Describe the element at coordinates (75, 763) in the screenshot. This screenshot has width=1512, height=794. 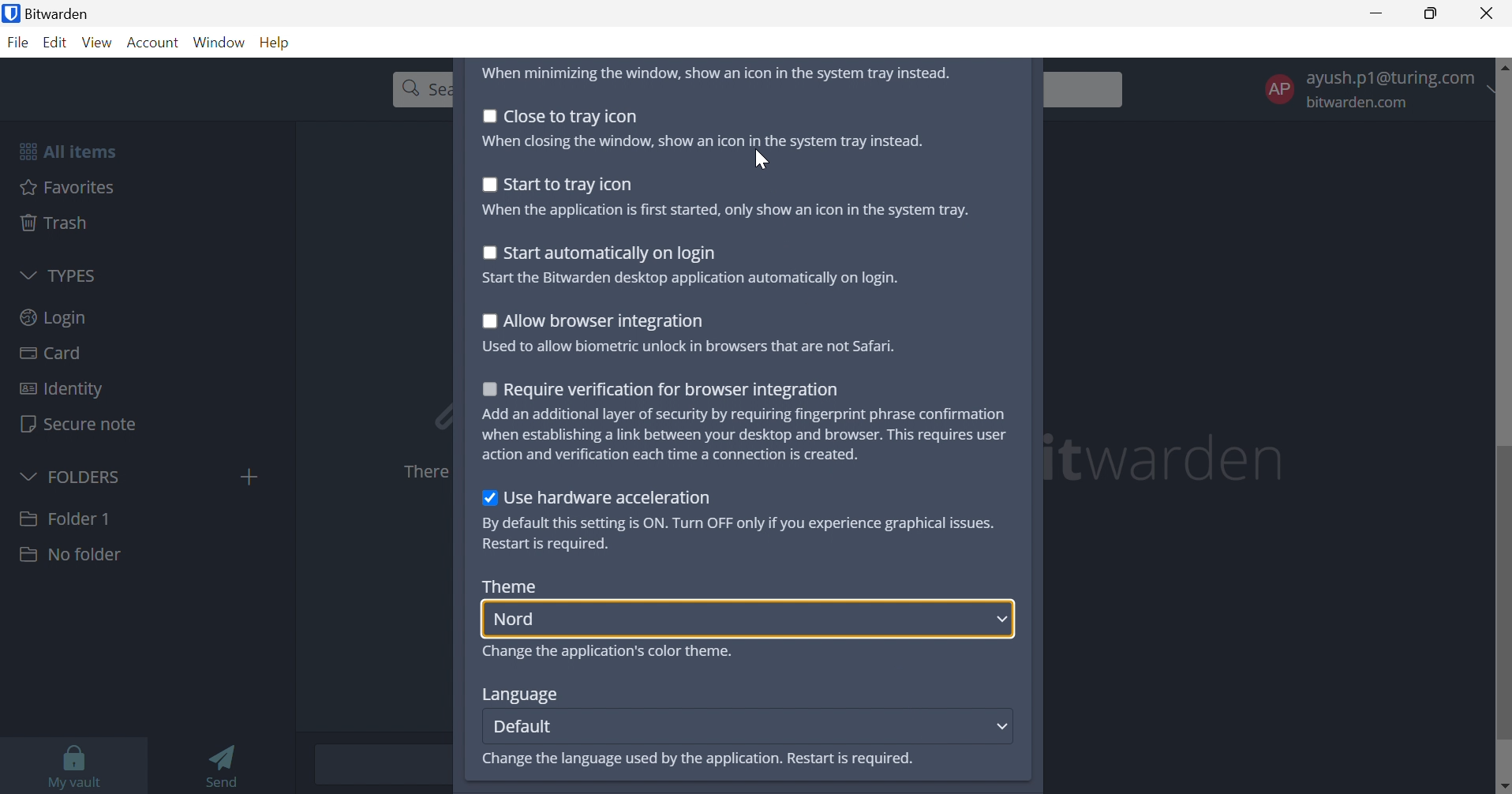
I see `My vault` at that location.